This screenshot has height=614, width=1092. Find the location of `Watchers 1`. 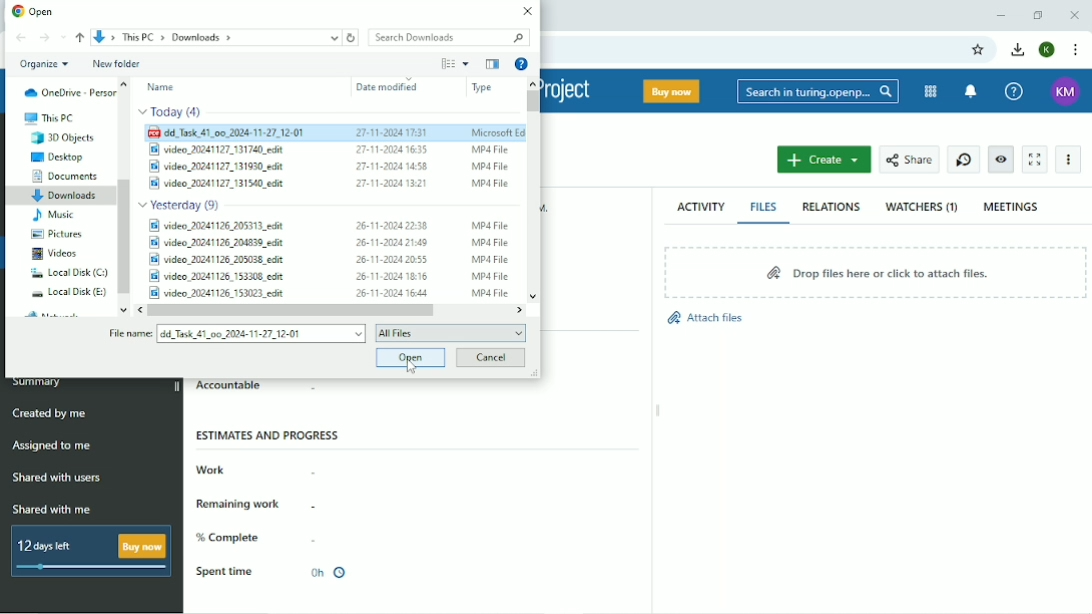

Watchers 1 is located at coordinates (922, 208).